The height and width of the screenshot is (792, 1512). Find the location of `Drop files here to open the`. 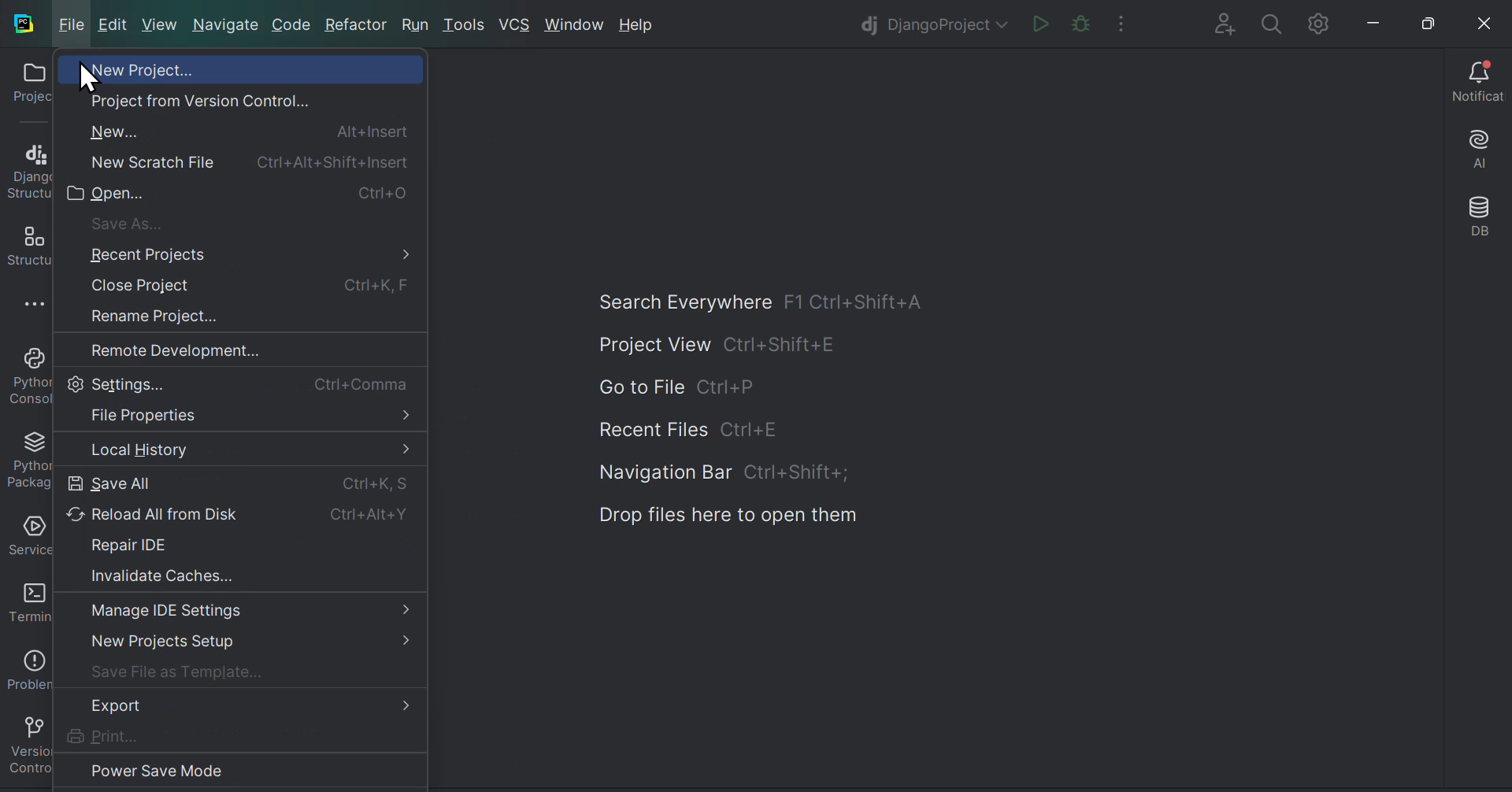

Drop files here to open the is located at coordinates (717, 518).